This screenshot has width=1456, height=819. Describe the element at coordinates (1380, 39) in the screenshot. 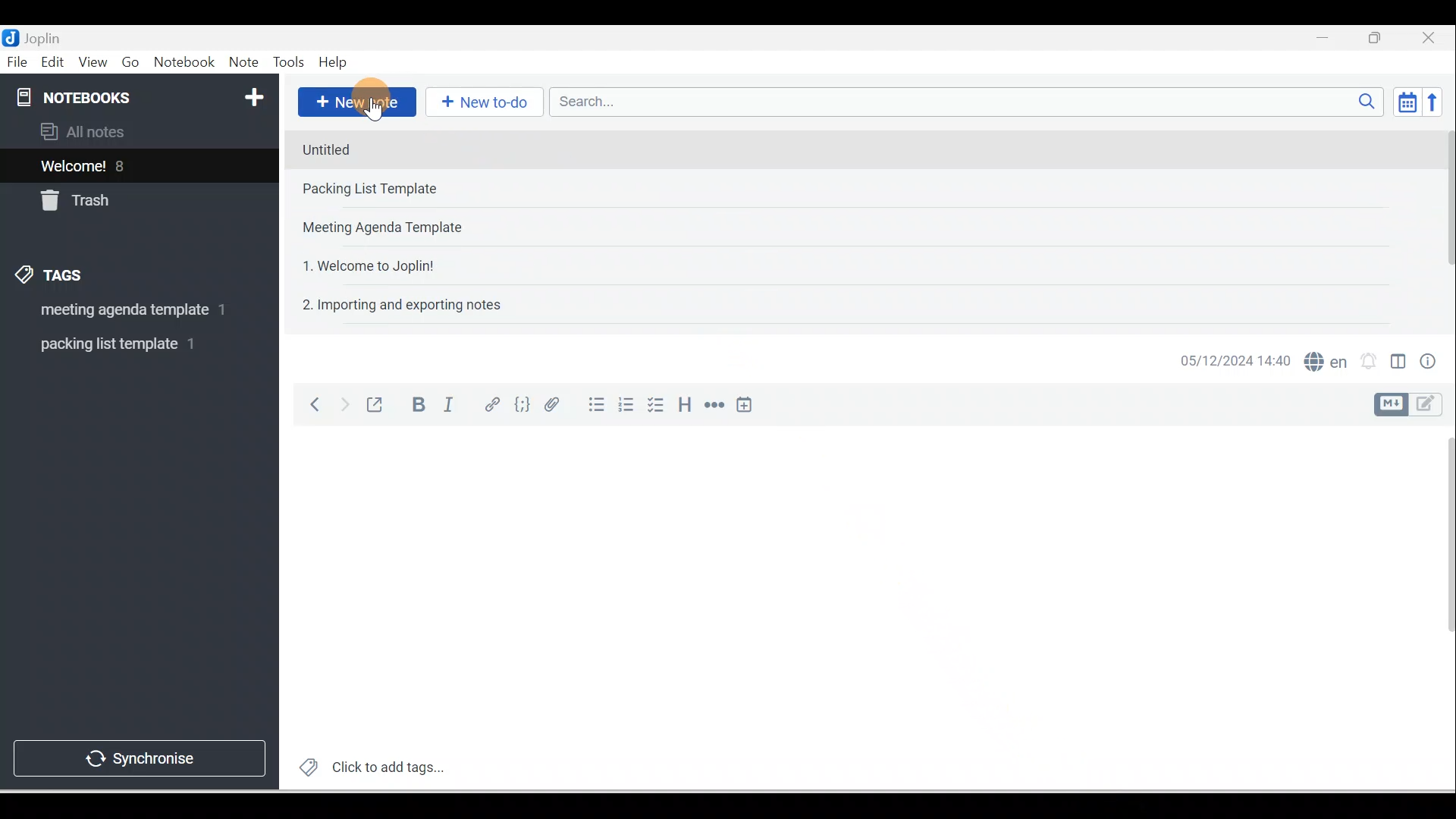

I see `Maximise` at that location.